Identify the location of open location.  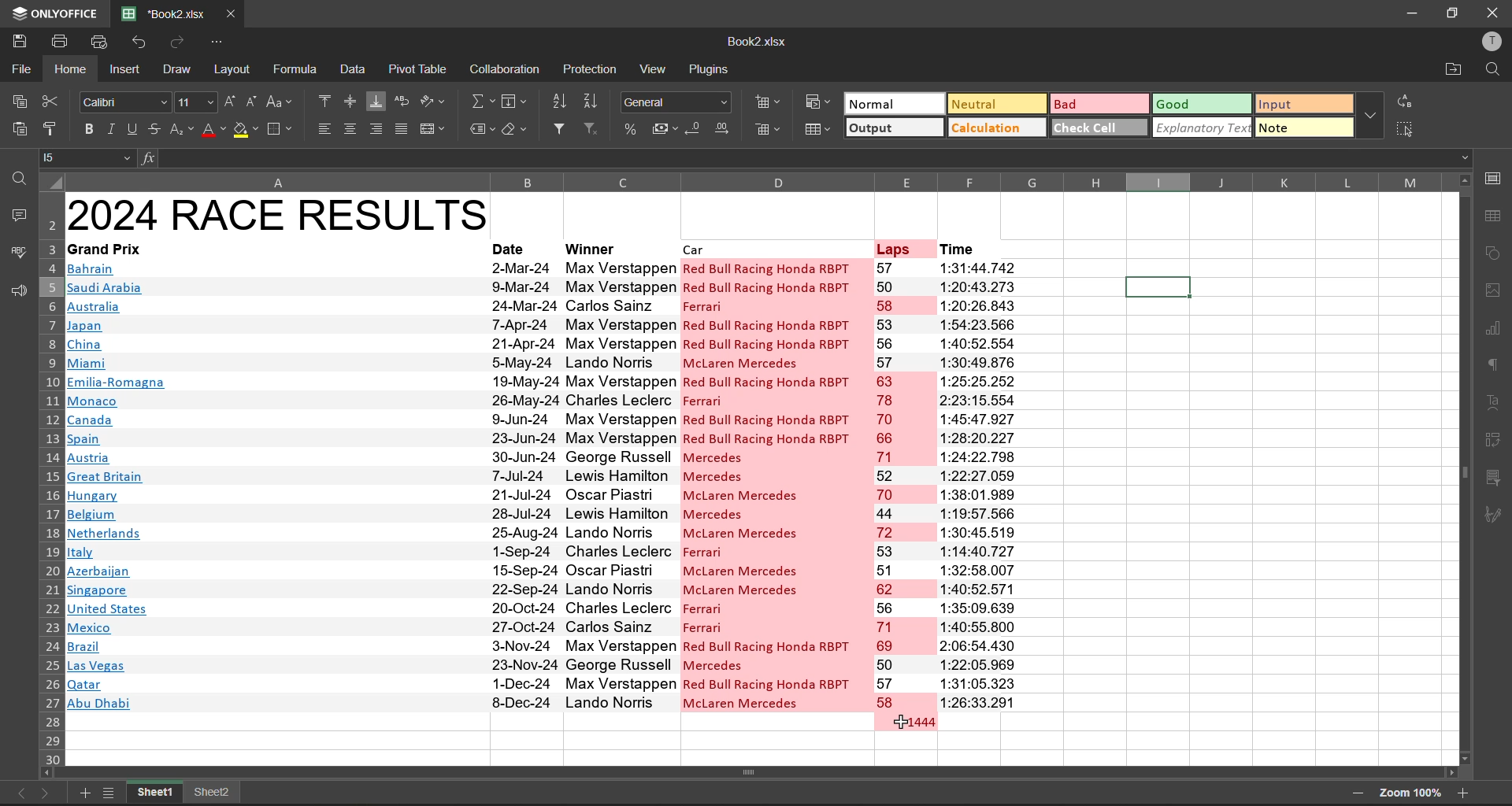
(1455, 69).